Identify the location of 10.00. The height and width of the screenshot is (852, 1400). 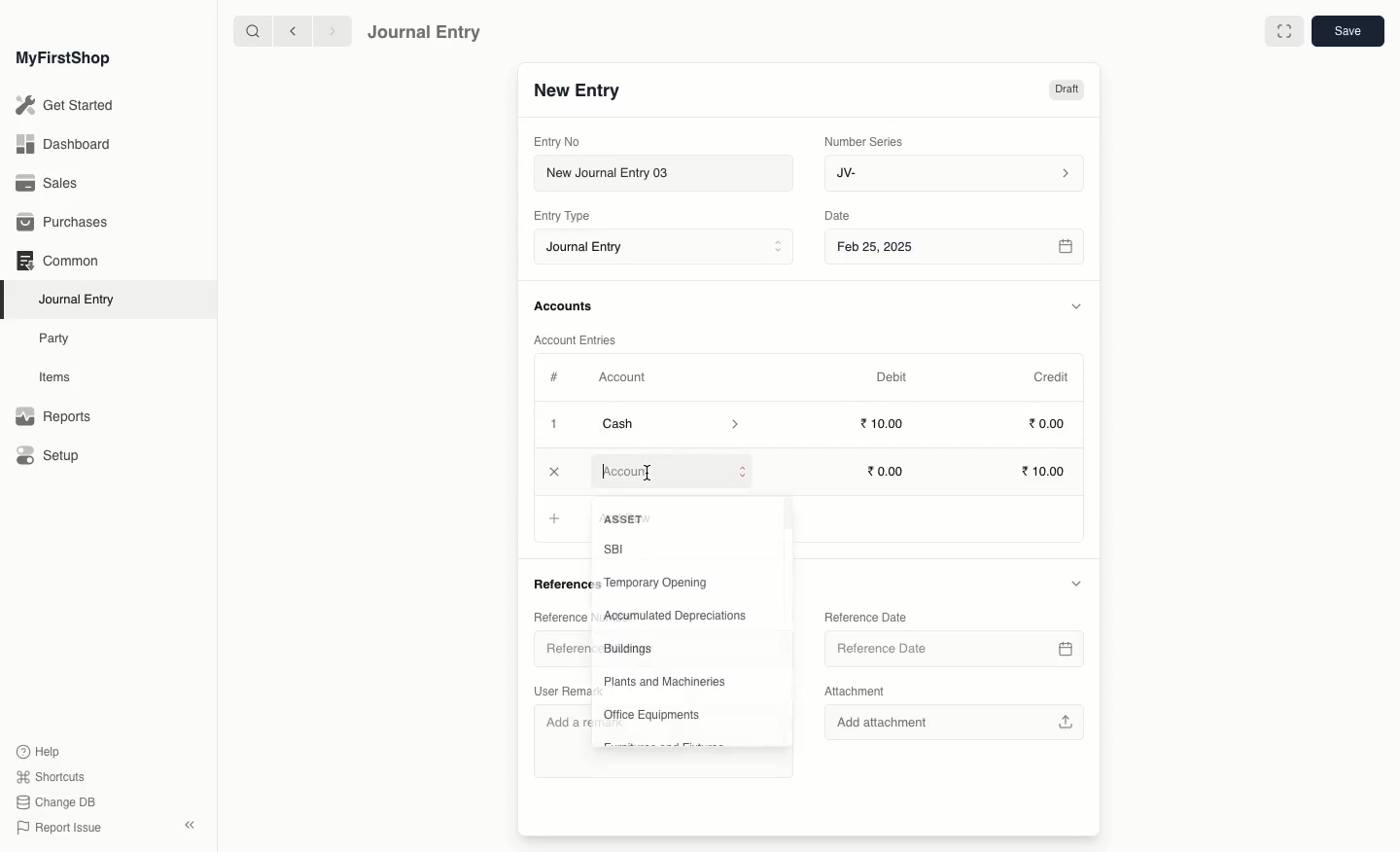
(891, 471).